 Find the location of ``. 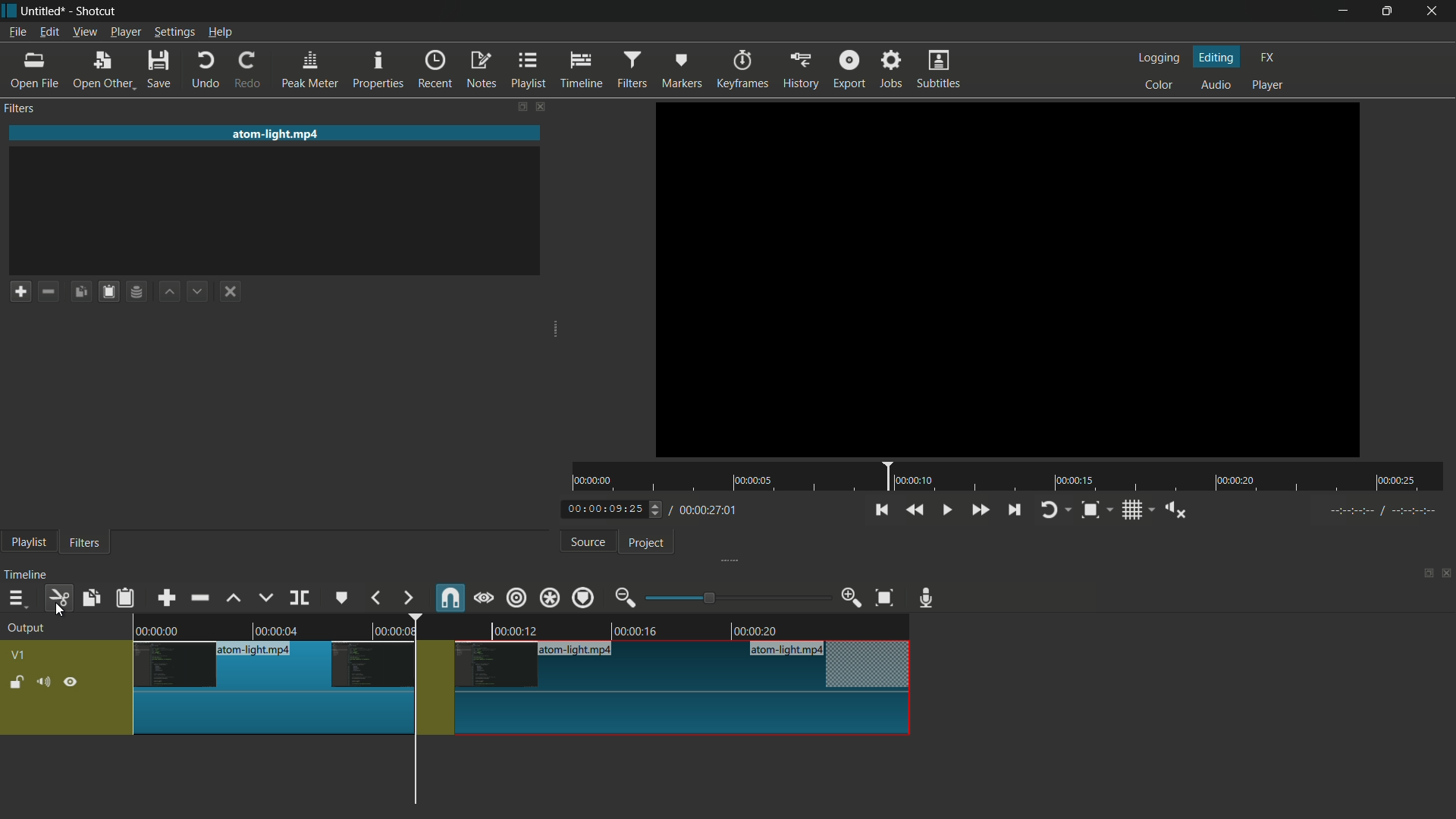

 is located at coordinates (1379, 513).